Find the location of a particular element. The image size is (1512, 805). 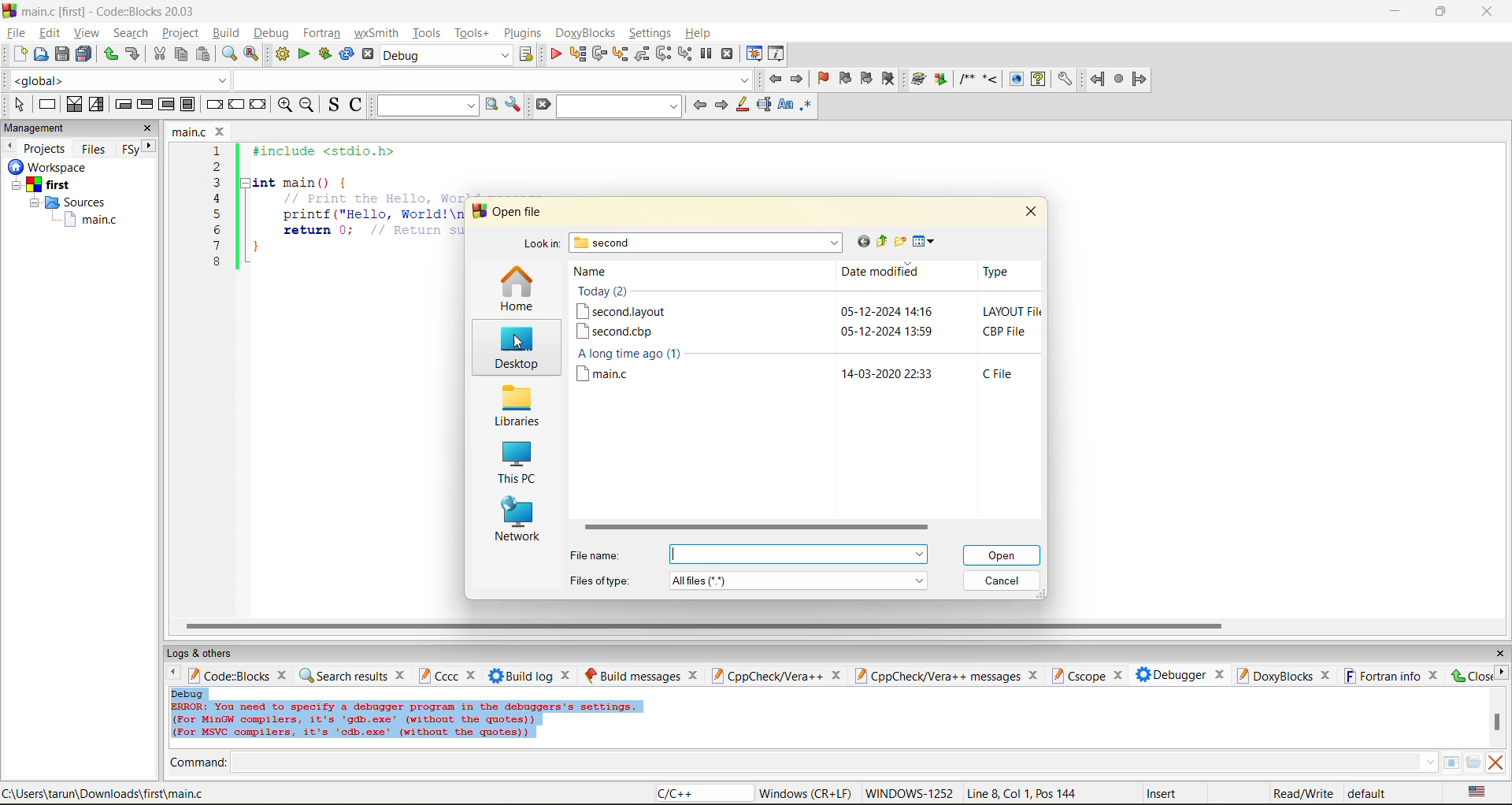

match case is located at coordinates (784, 106).